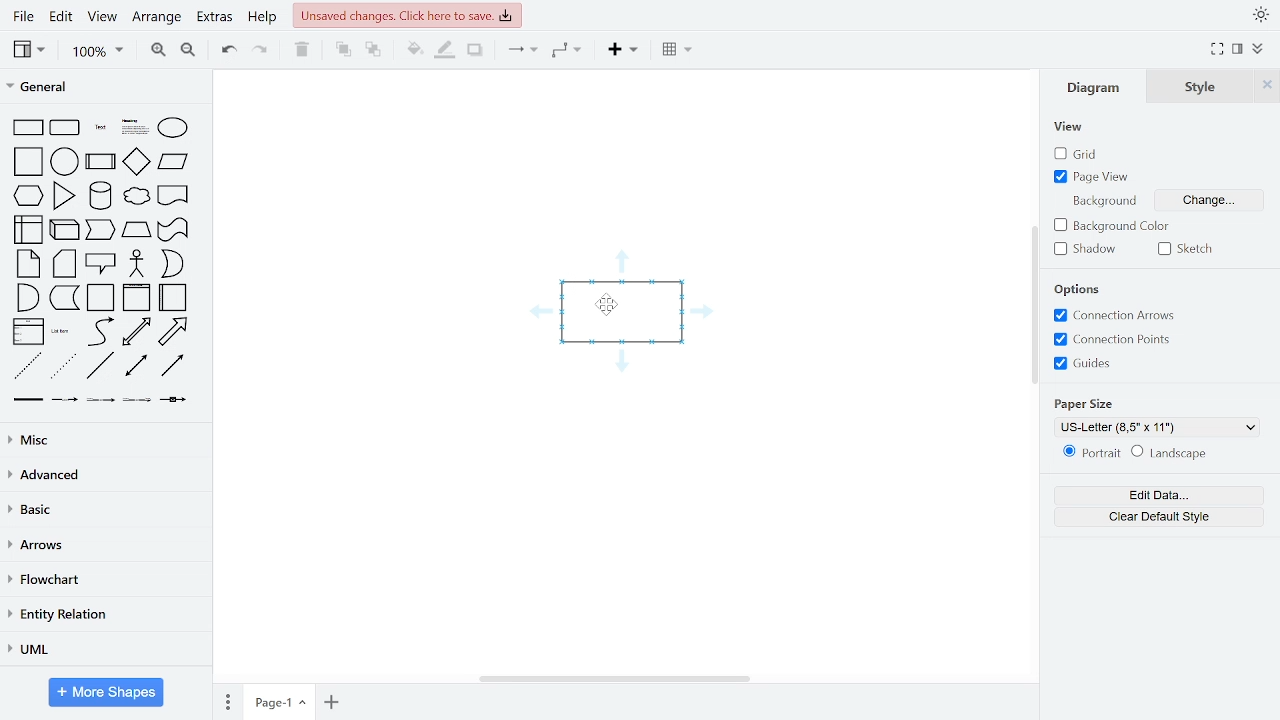  I want to click on circle, so click(65, 160).